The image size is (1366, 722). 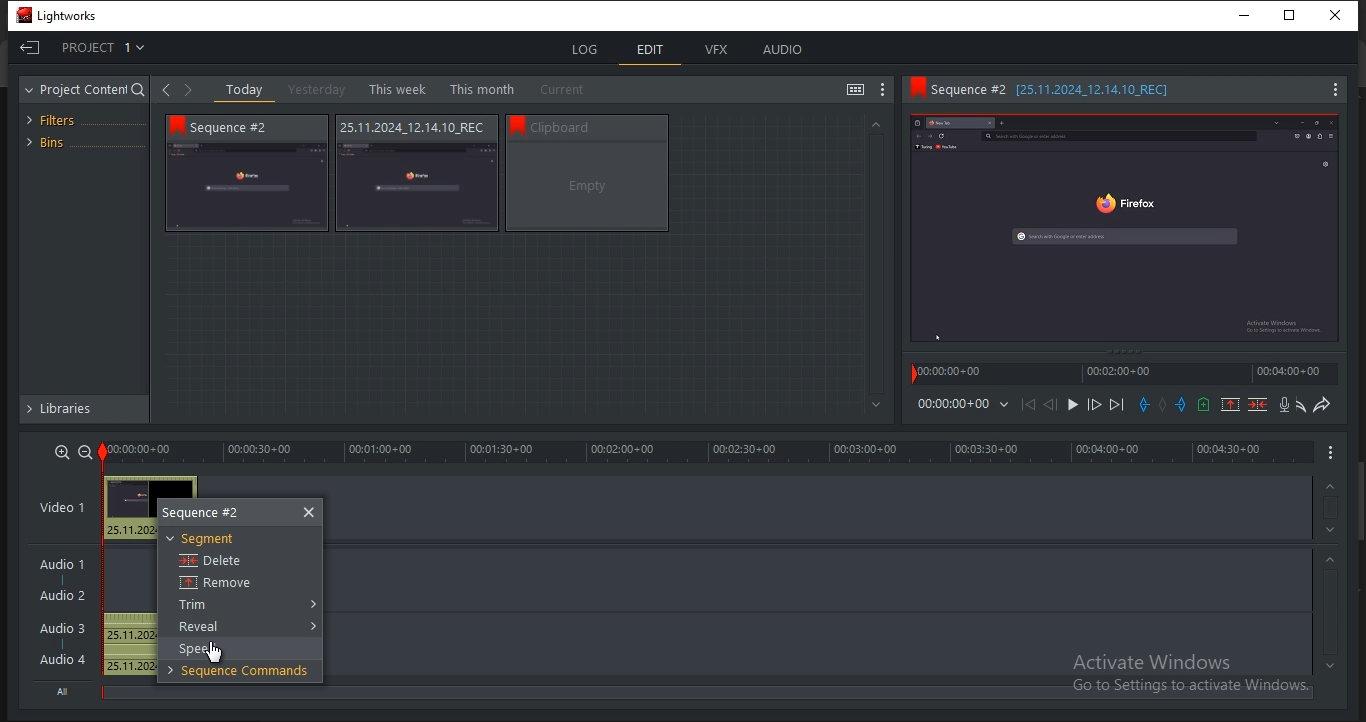 I want to click on trim, so click(x=197, y=605).